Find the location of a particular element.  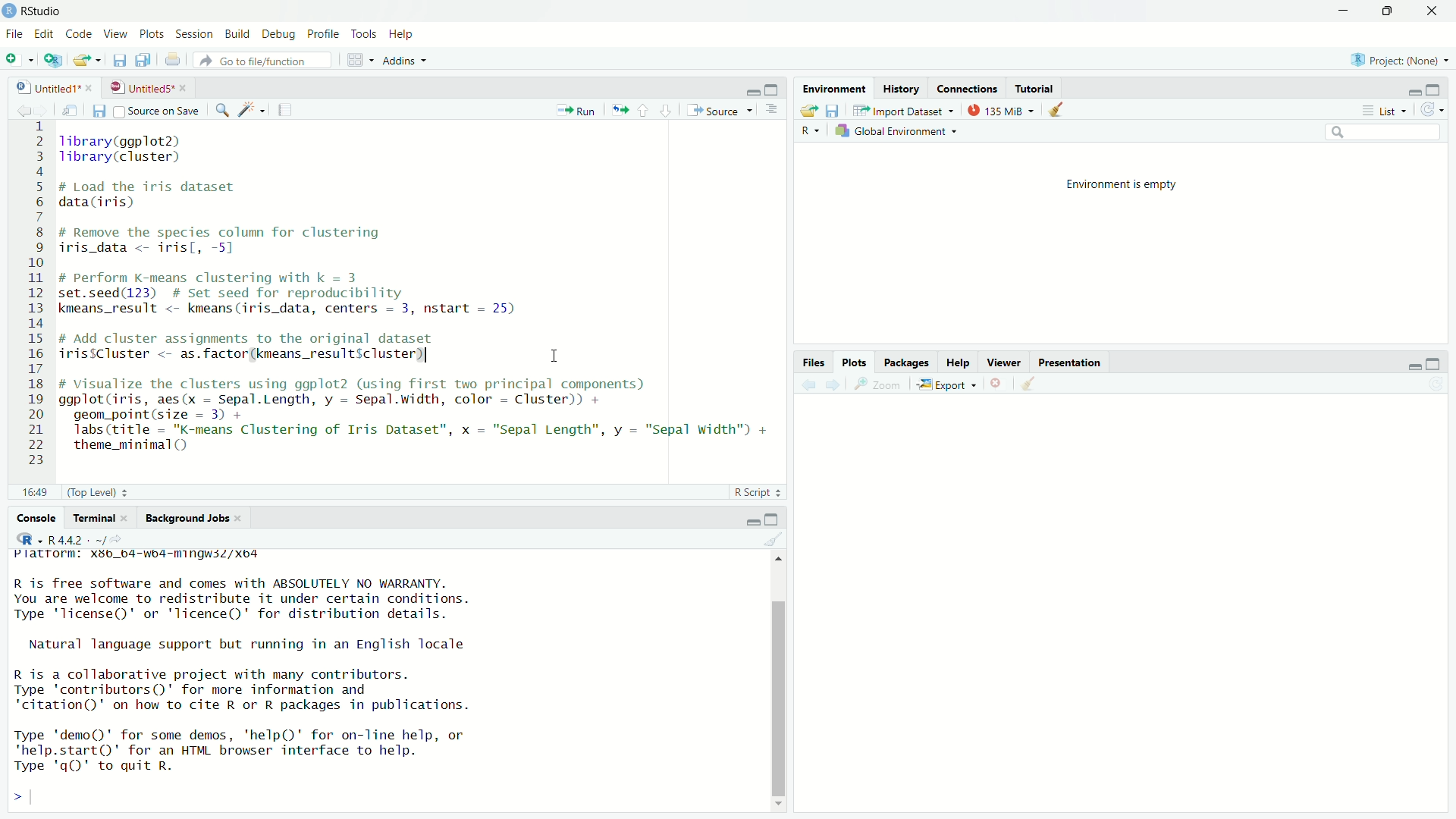

R script is located at coordinates (757, 490).